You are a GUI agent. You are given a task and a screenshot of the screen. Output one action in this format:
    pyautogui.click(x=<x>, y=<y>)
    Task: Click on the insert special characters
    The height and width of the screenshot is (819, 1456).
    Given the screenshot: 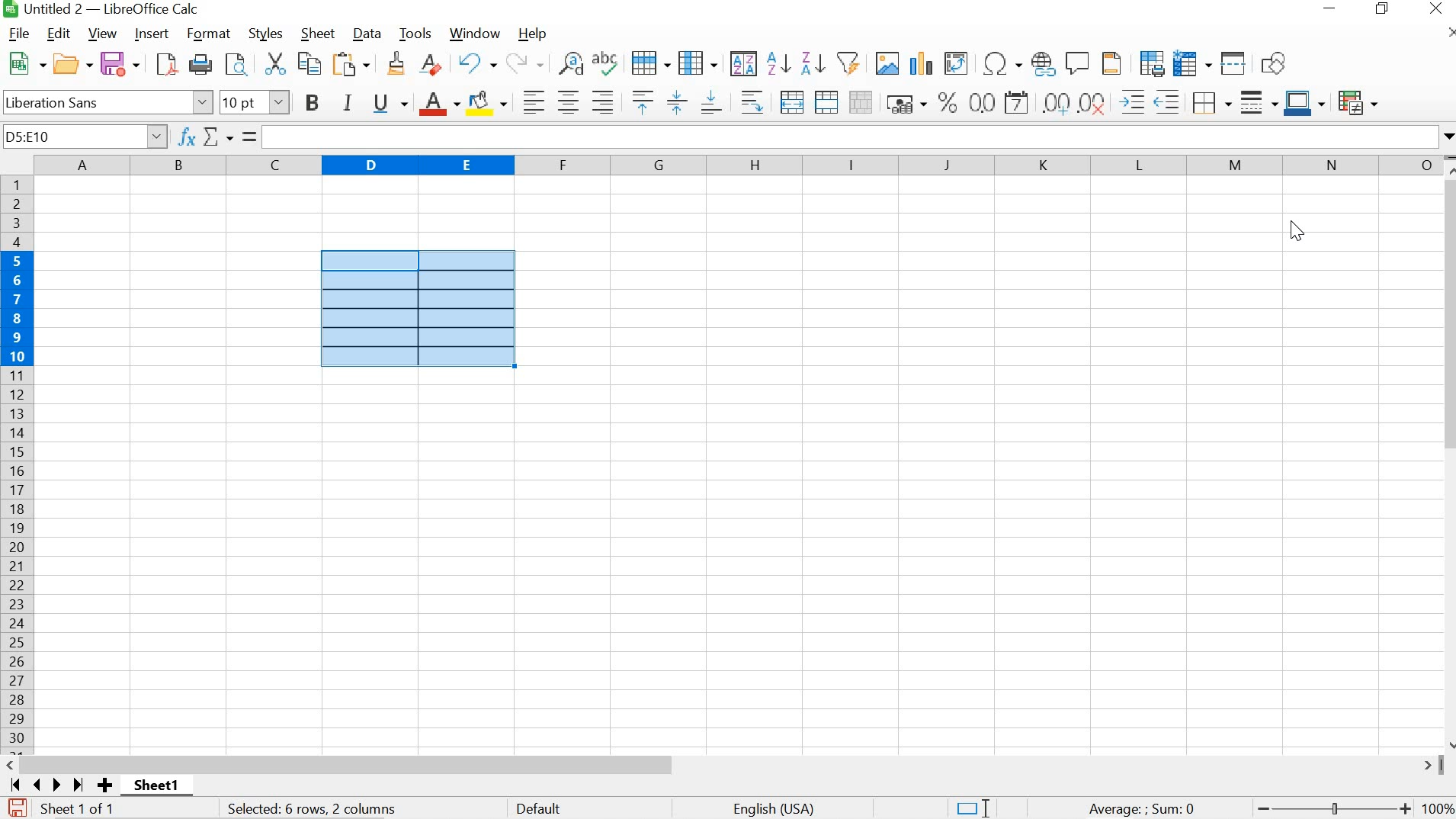 What is the action you would take?
    pyautogui.click(x=1003, y=62)
    